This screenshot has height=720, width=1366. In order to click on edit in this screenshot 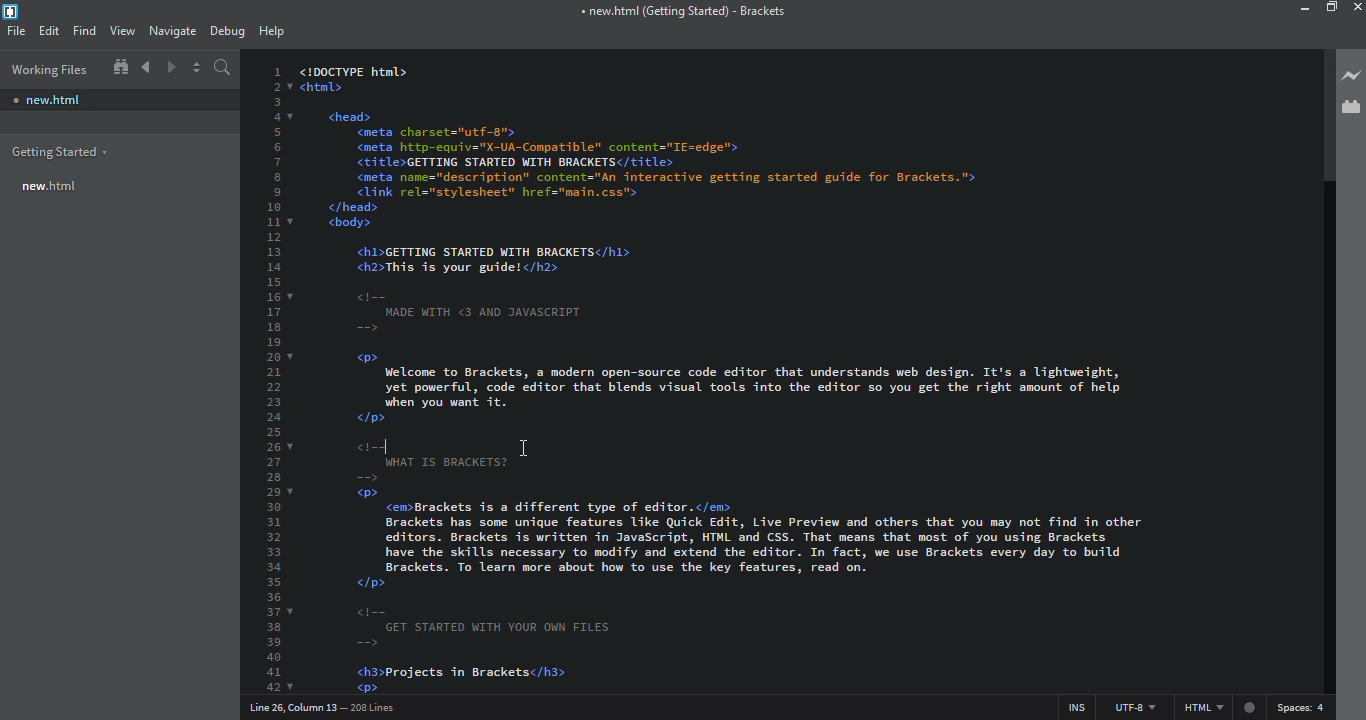, I will do `click(49, 31)`.